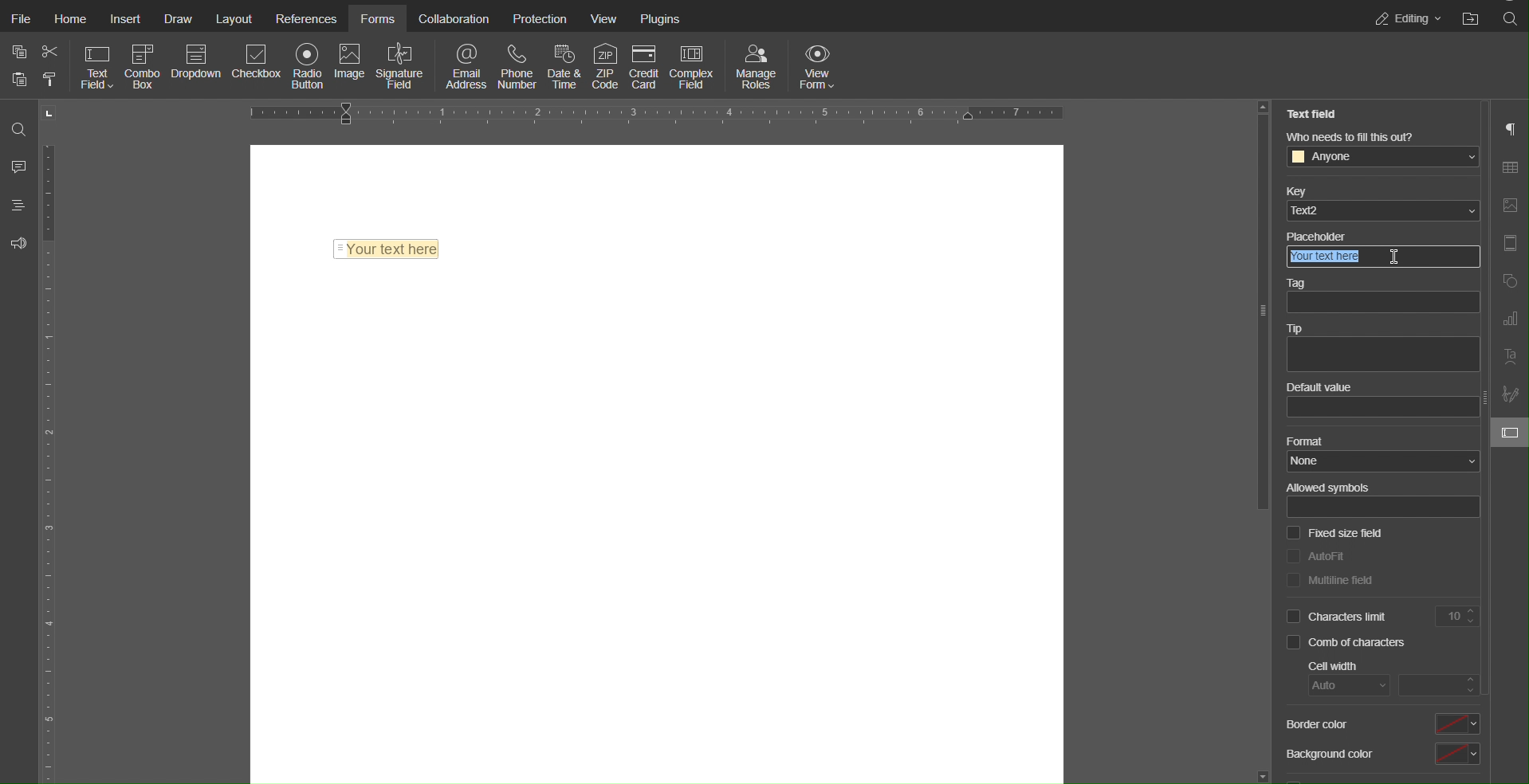 This screenshot has height=784, width=1529. I want to click on Text Art, so click(1509, 358).